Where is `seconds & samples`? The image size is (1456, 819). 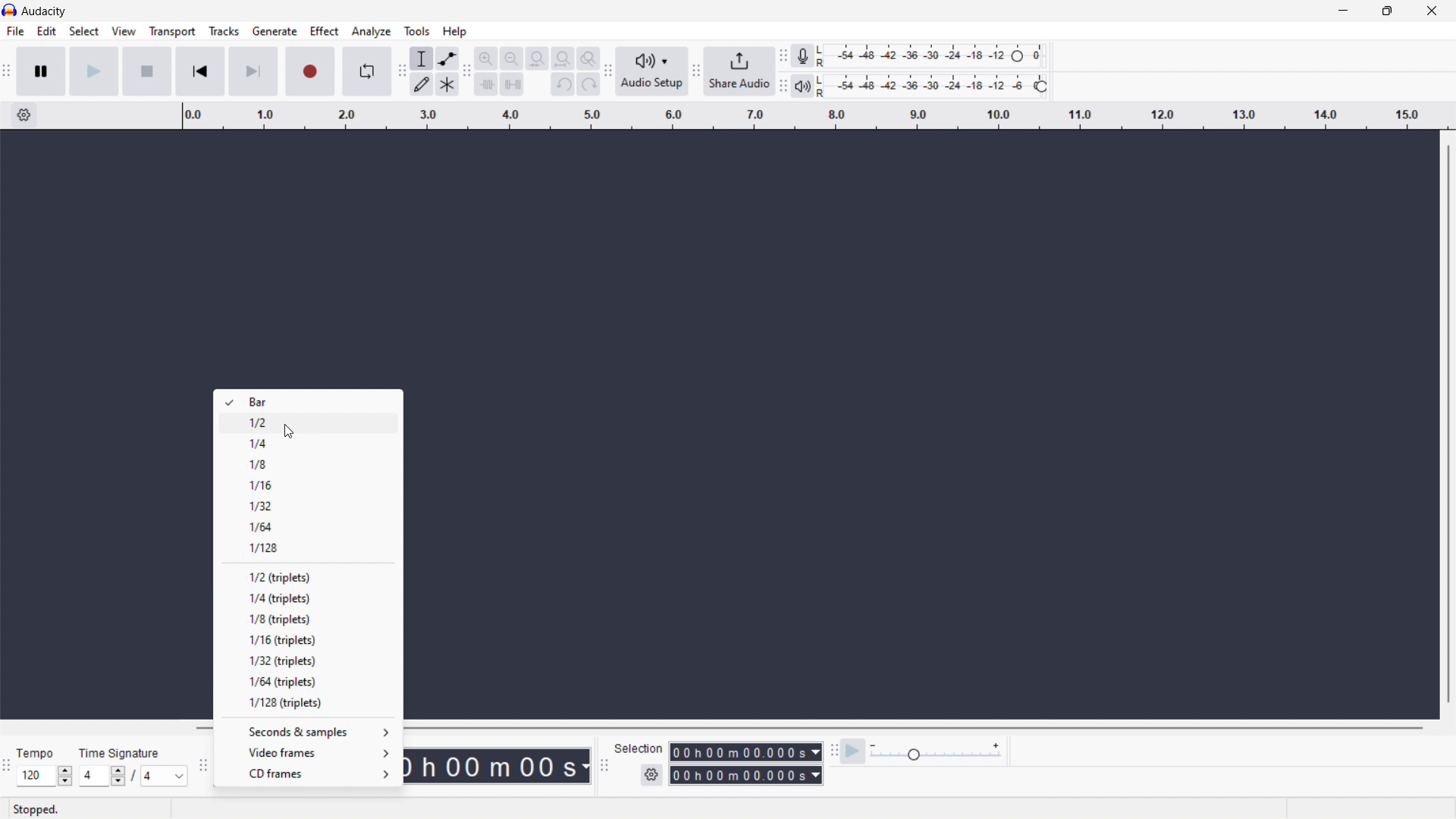 seconds & samples is located at coordinates (306, 731).